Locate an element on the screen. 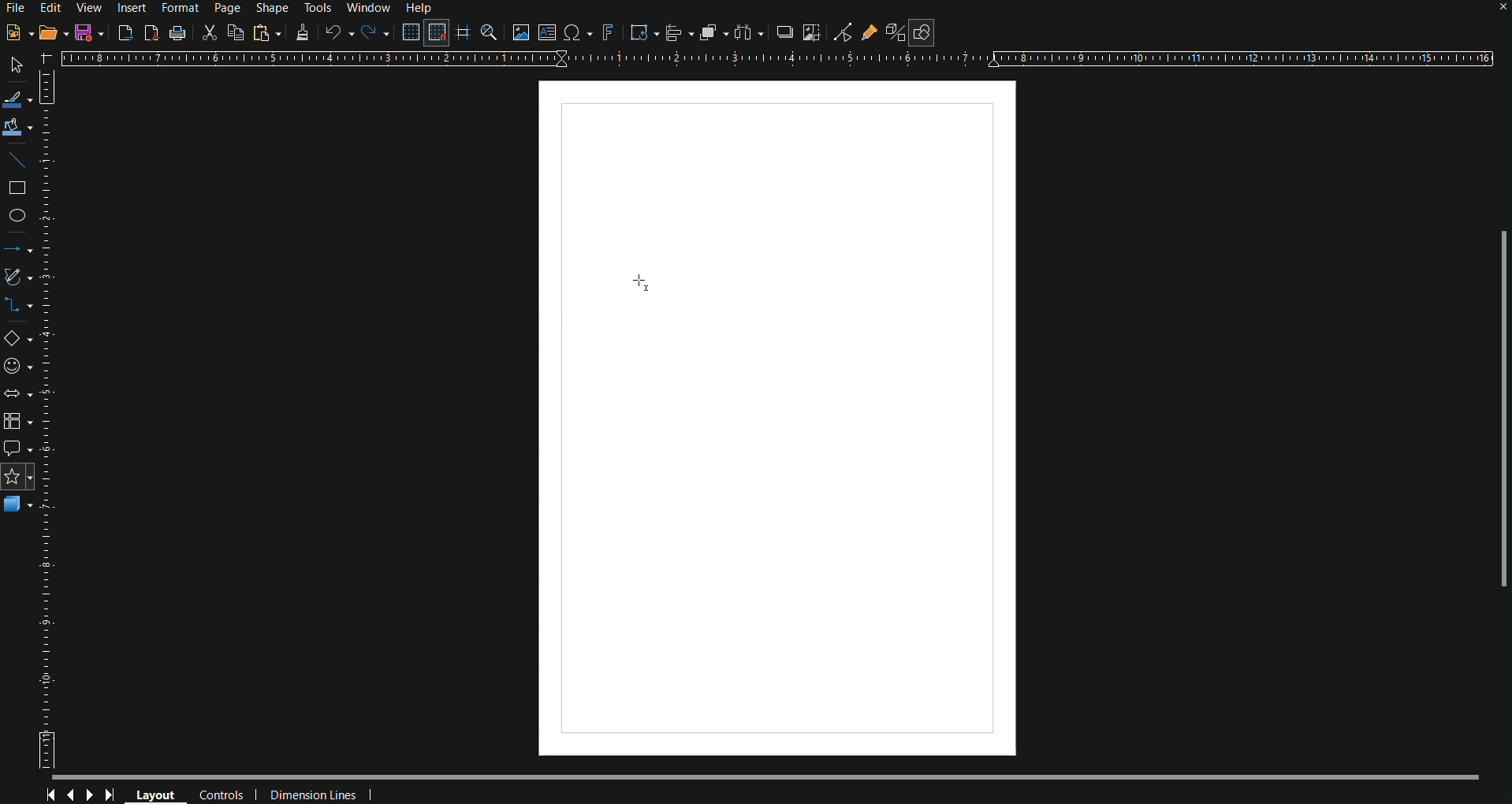 This screenshot has width=1512, height=804. Select is located at coordinates (17, 100).